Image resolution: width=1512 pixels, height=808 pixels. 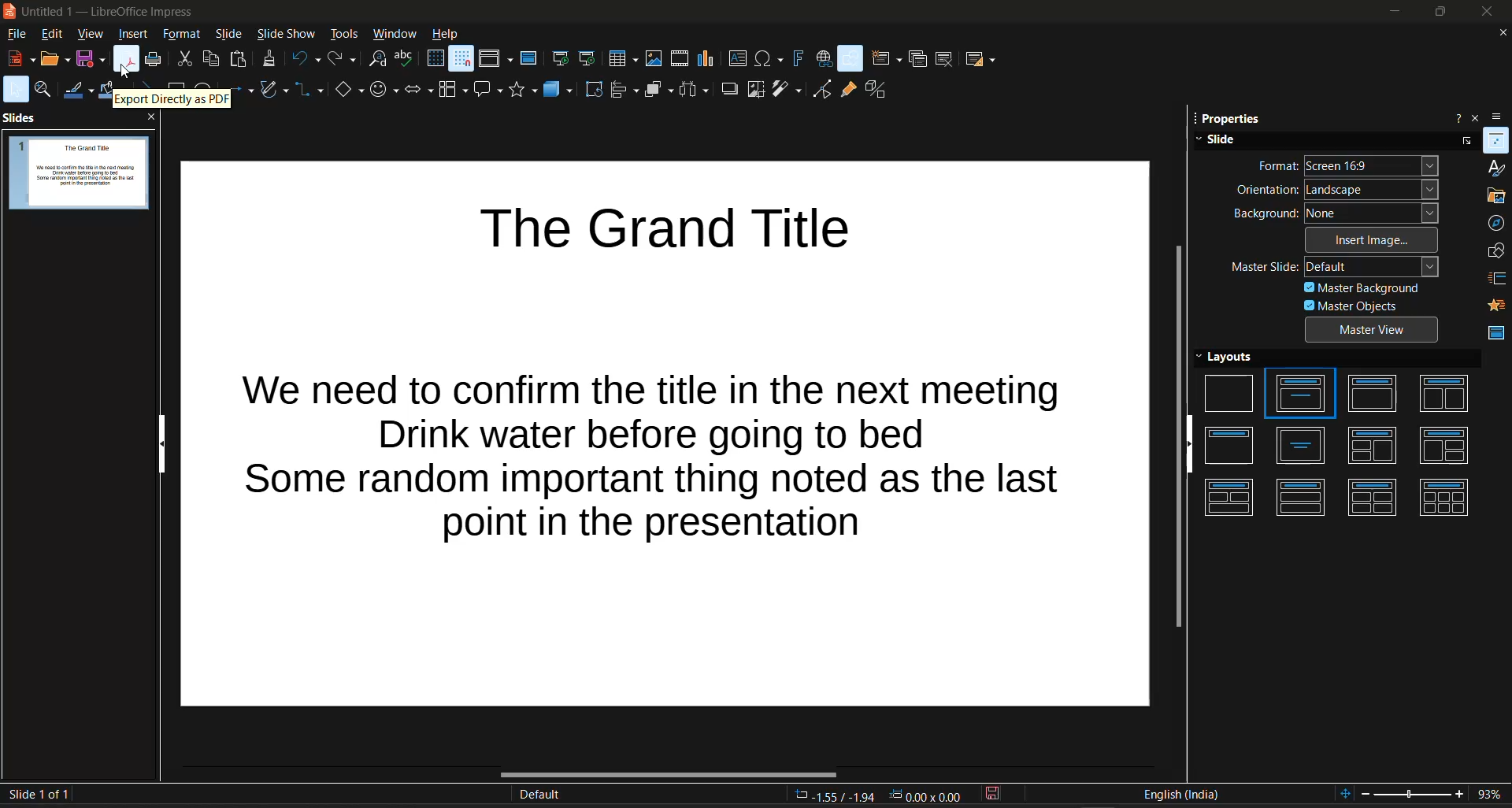 I want to click on fit slide to current window, so click(x=1342, y=796).